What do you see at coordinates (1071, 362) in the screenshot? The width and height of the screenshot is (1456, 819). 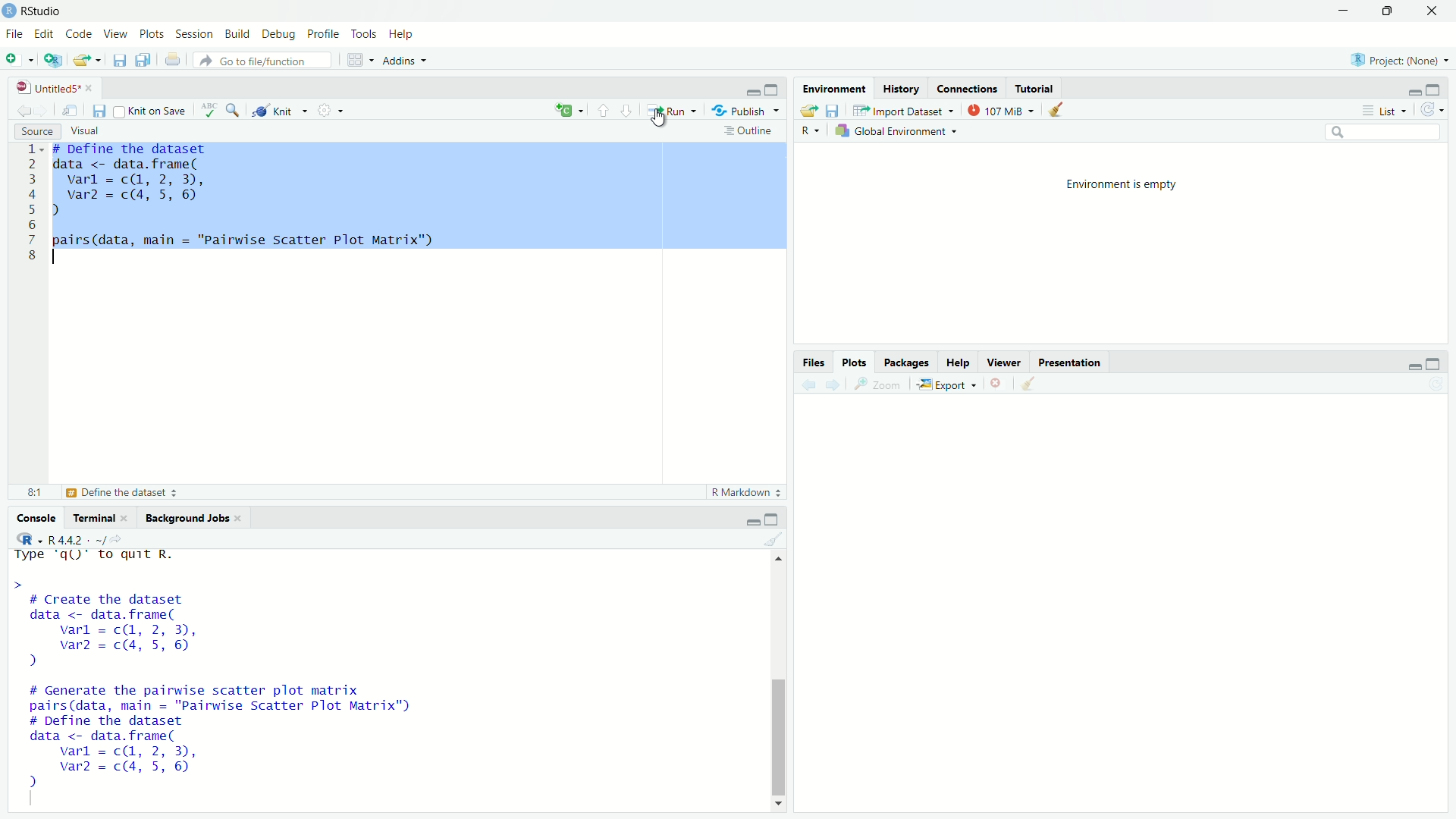 I see `Presentation` at bounding box center [1071, 362].